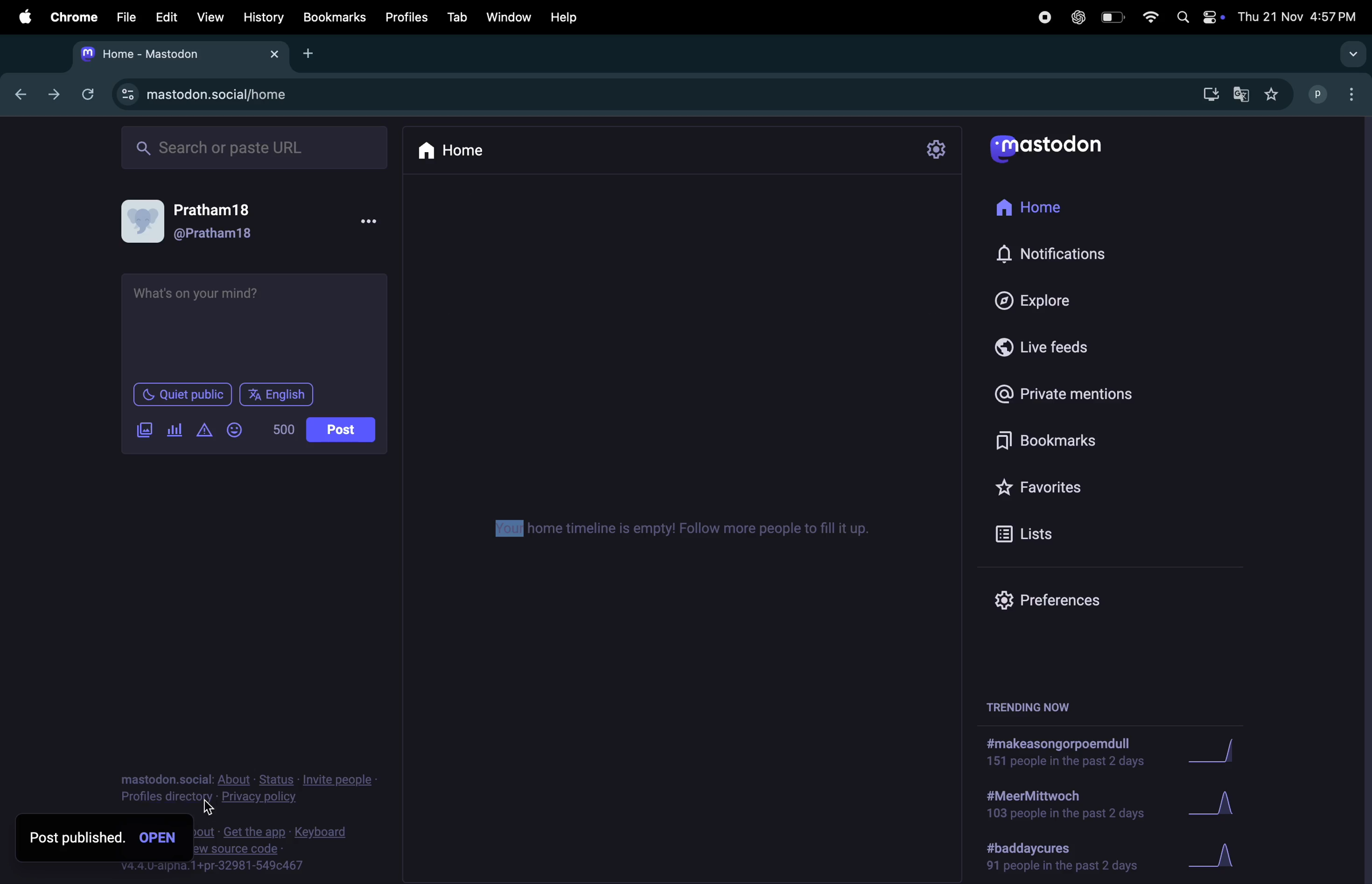 The image size is (1372, 884). Describe the element at coordinates (286, 431) in the screenshot. I see `no of words` at that location.